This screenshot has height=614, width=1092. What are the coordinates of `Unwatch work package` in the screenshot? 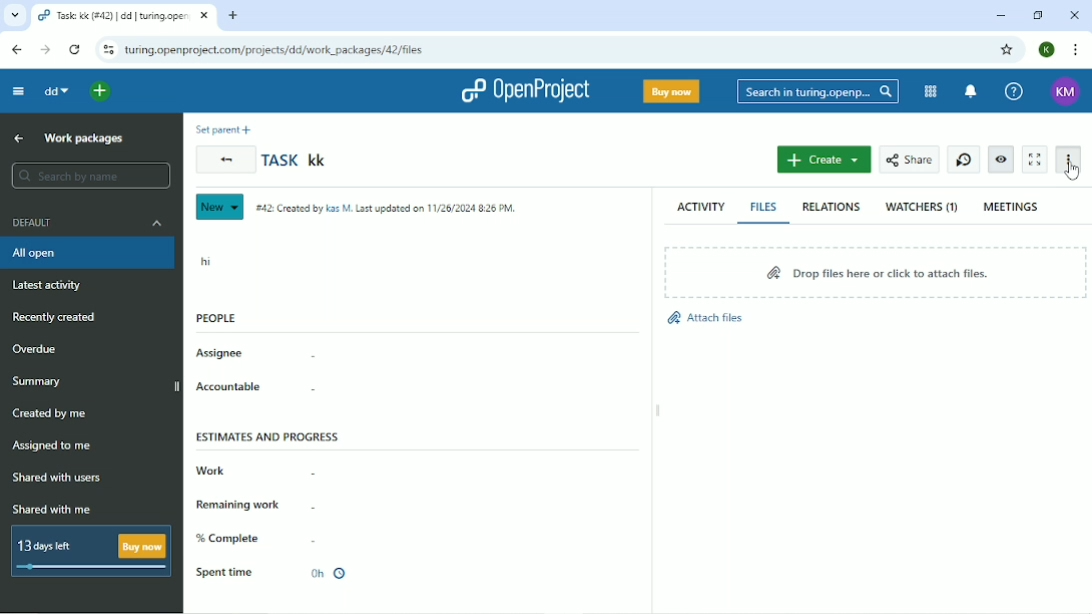 It's located at (1000, 160).